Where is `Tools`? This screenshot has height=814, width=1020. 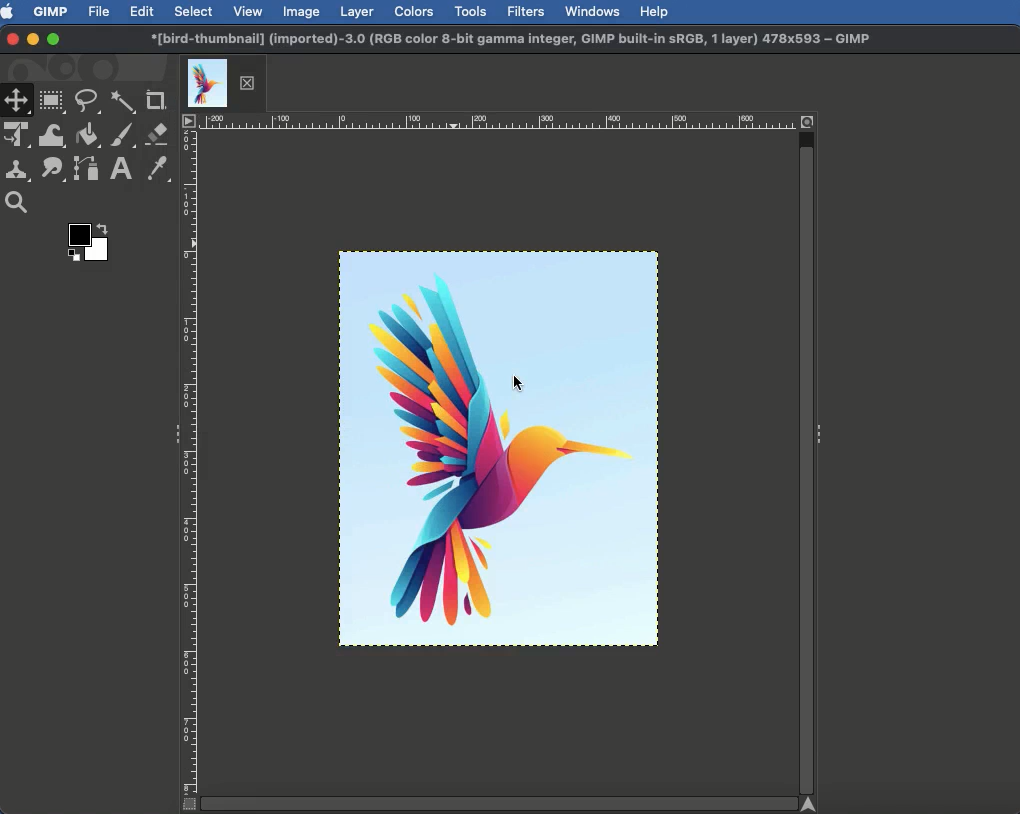 Tools is located at coordinates (469, 12).